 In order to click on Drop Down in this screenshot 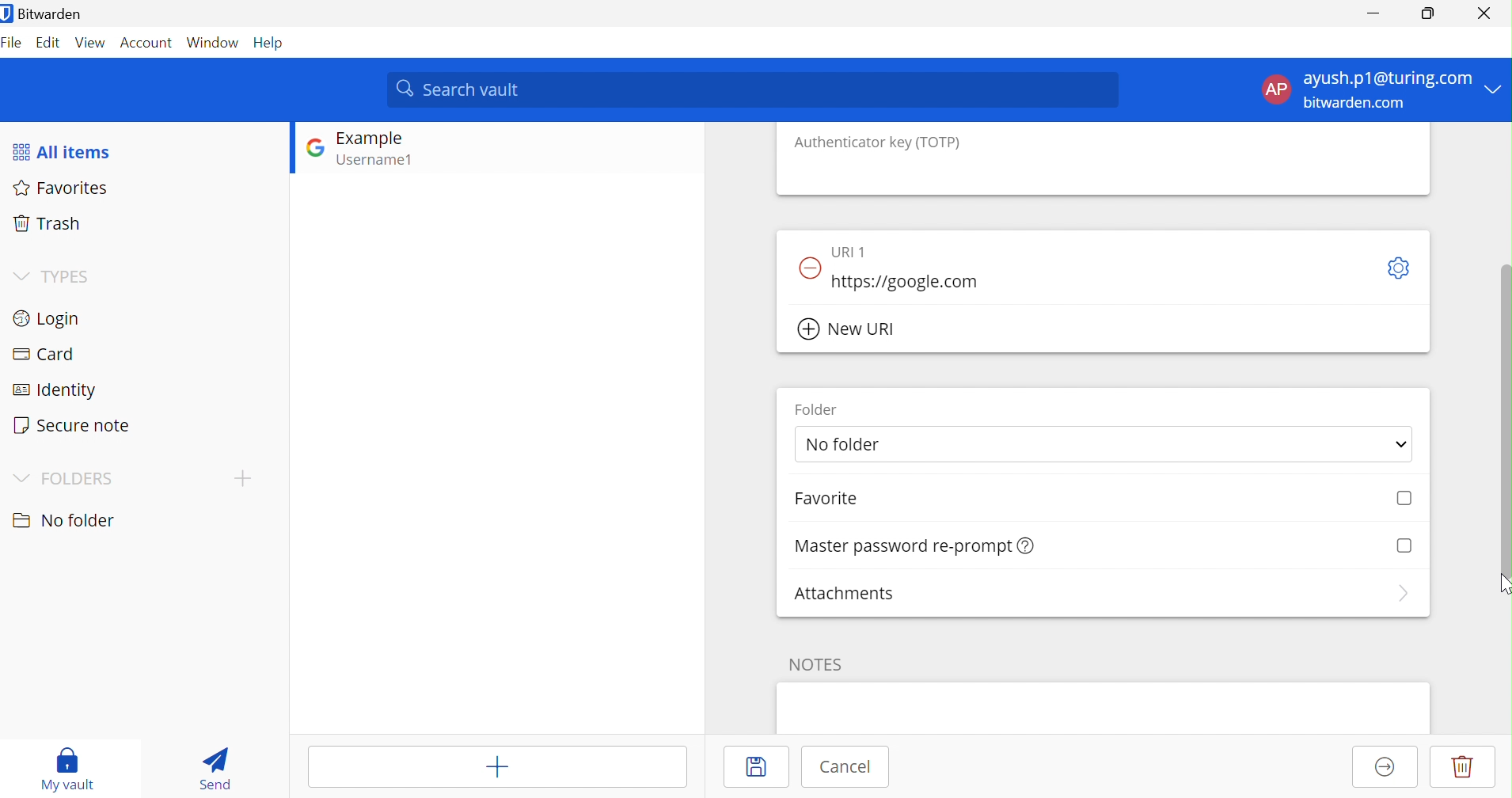, I will do `click(1400, 442)`.